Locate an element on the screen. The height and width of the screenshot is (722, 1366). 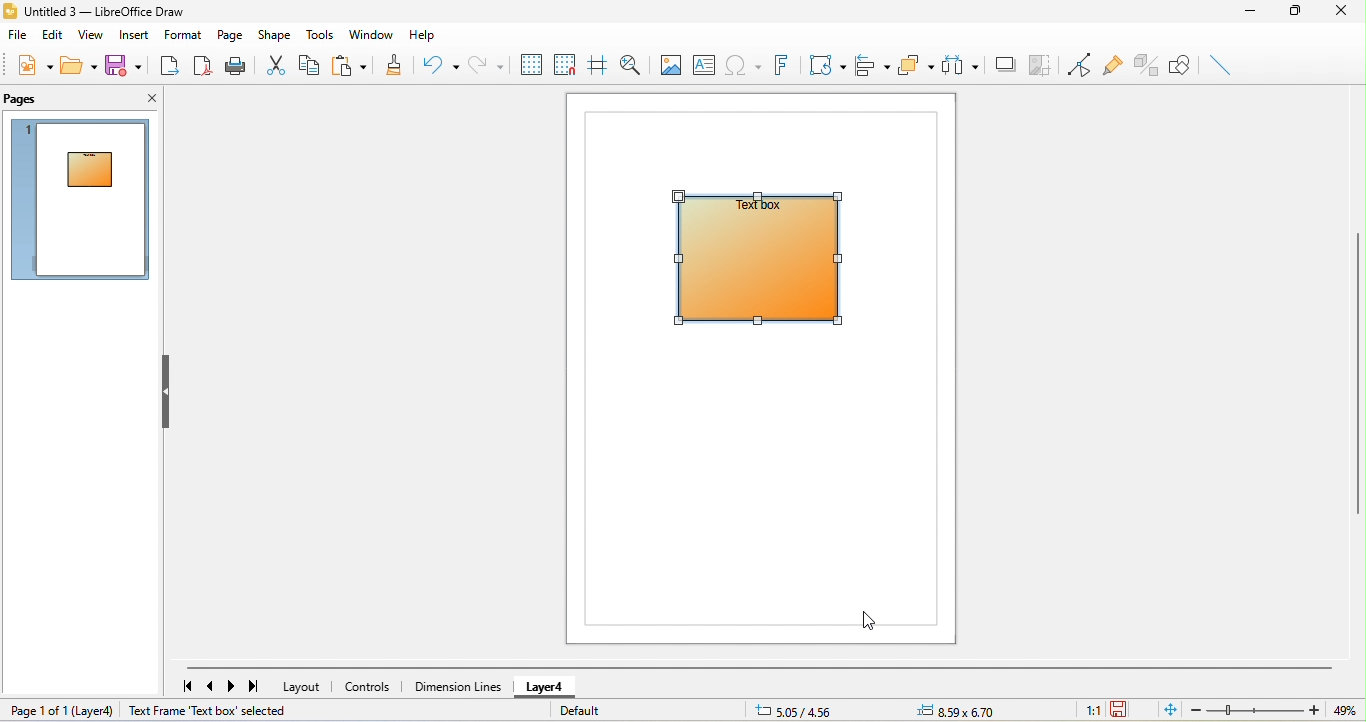
helpline while moving is located at coordinates (599, 64).